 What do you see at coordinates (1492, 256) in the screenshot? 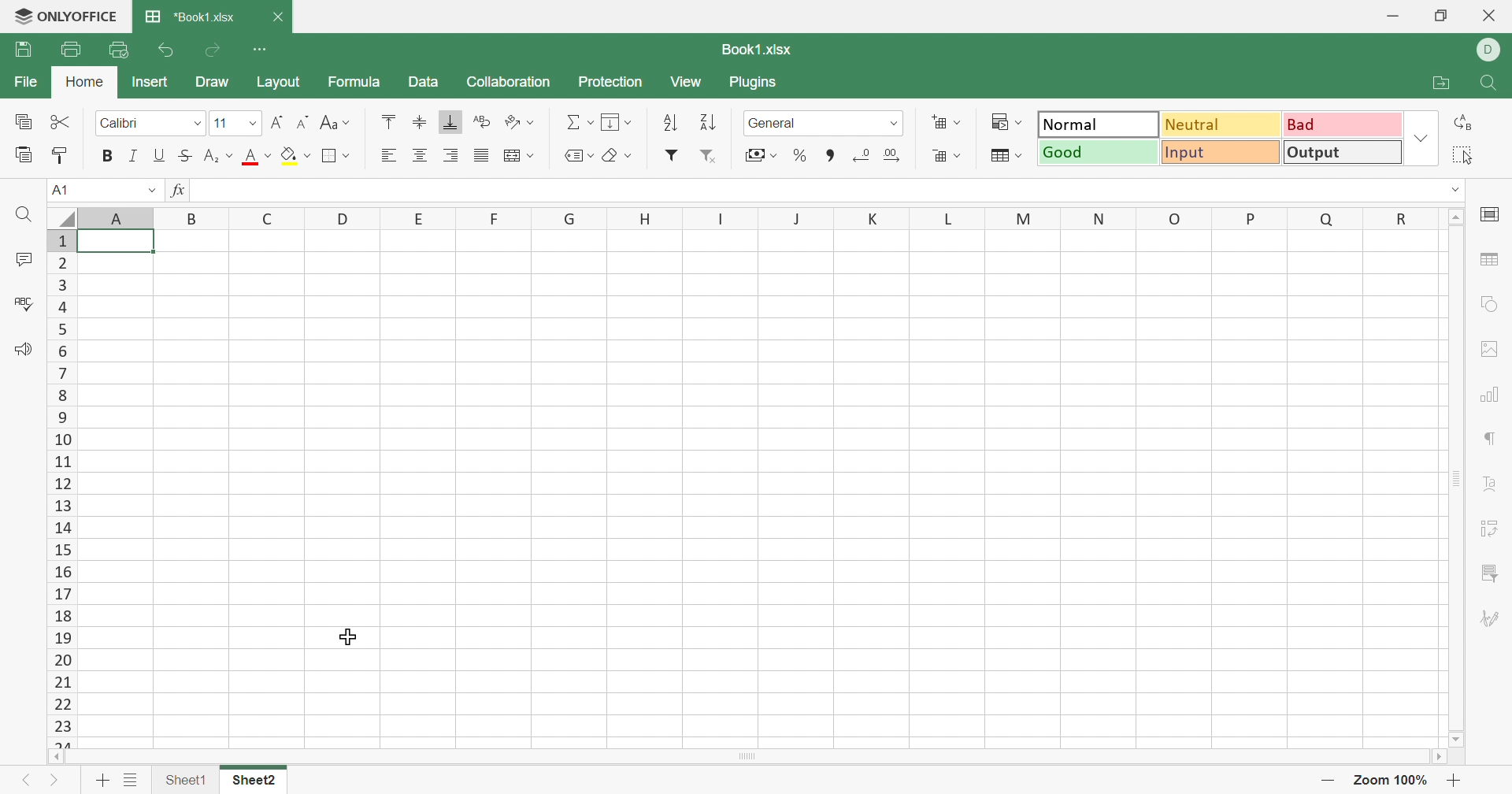
I see `Table settings` at bounding box center [1492, 256].